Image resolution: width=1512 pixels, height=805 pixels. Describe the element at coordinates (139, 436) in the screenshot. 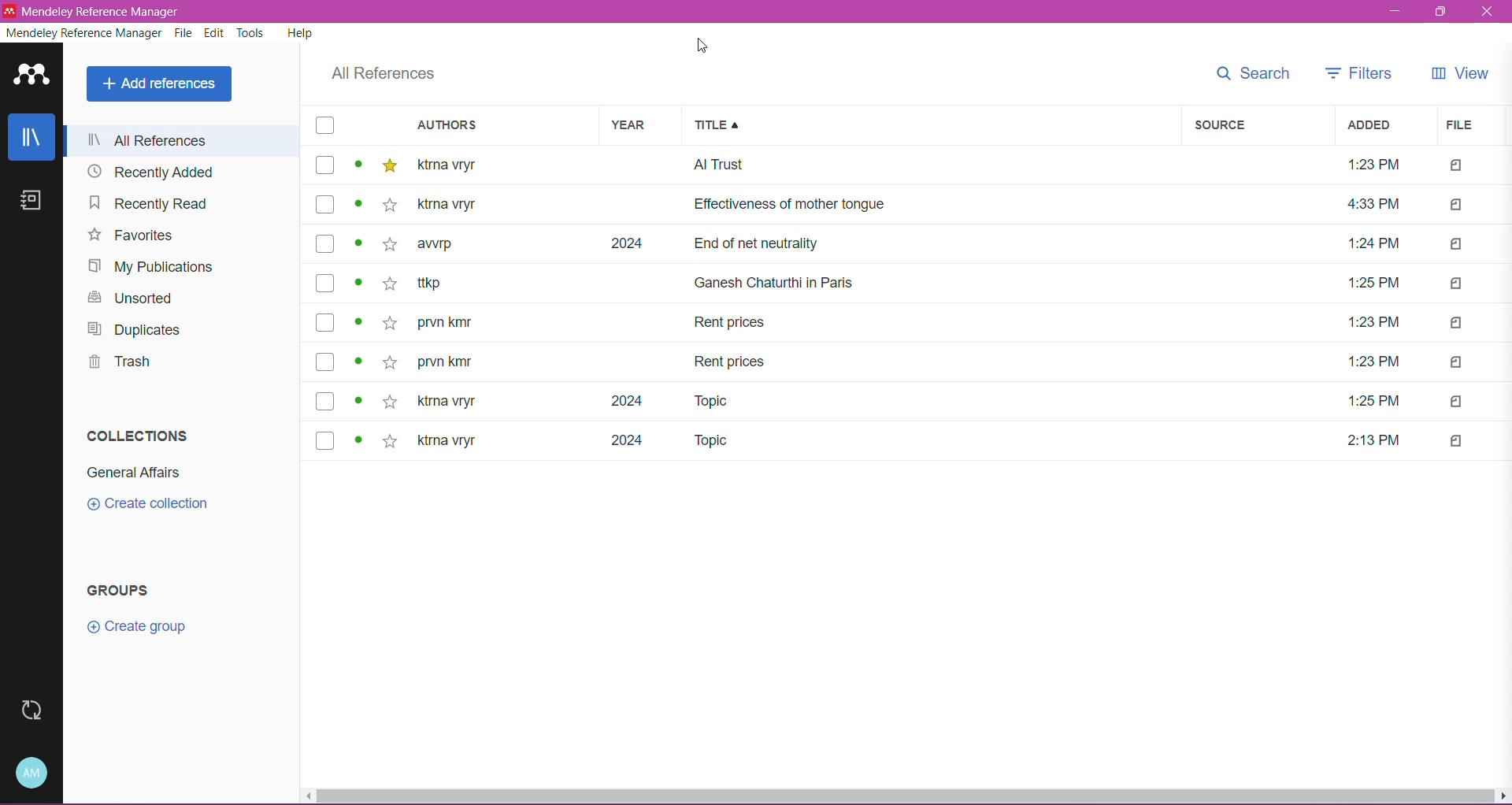

I see `Collections` at that location.